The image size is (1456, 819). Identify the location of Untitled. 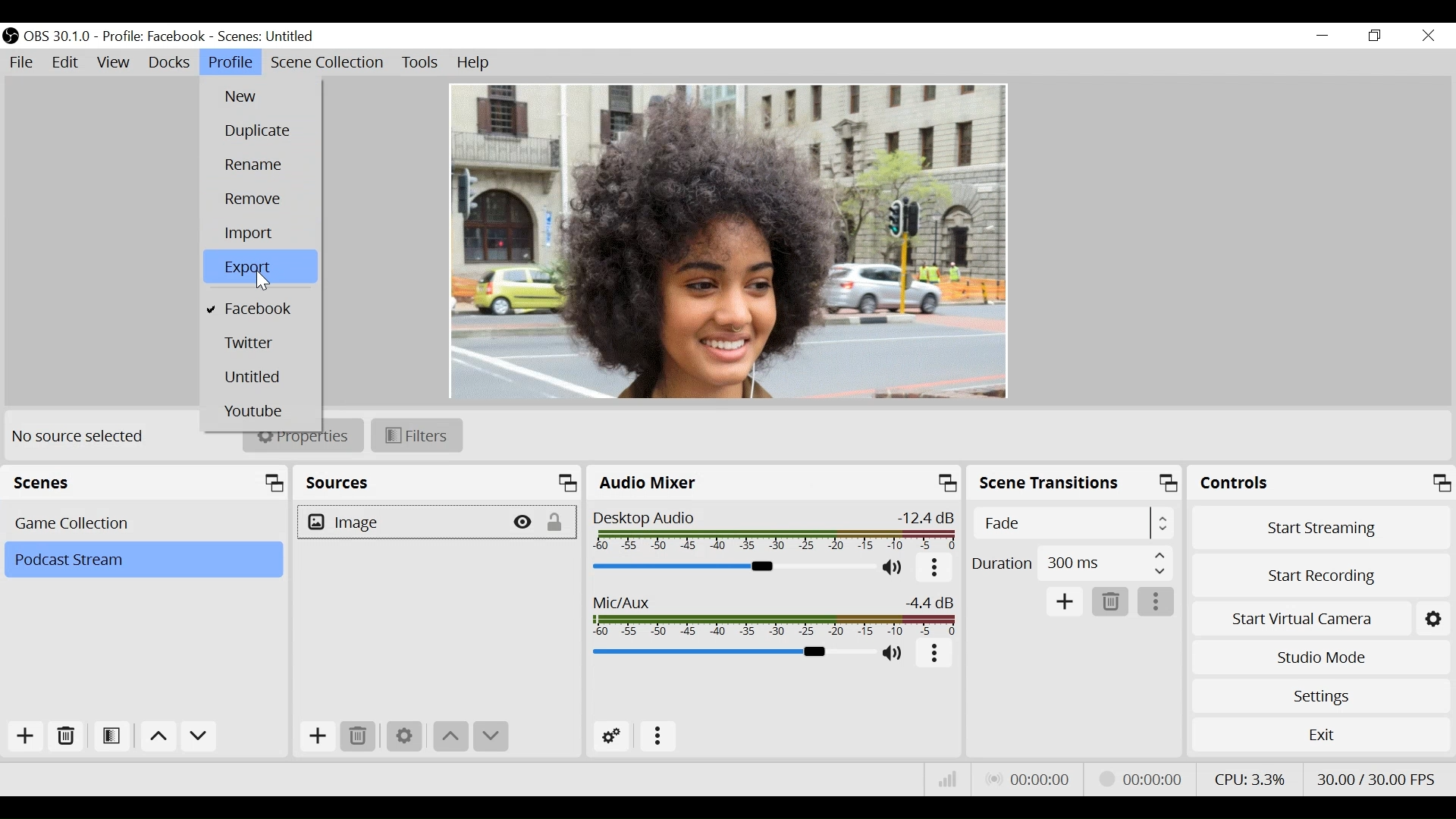
(259, 378).